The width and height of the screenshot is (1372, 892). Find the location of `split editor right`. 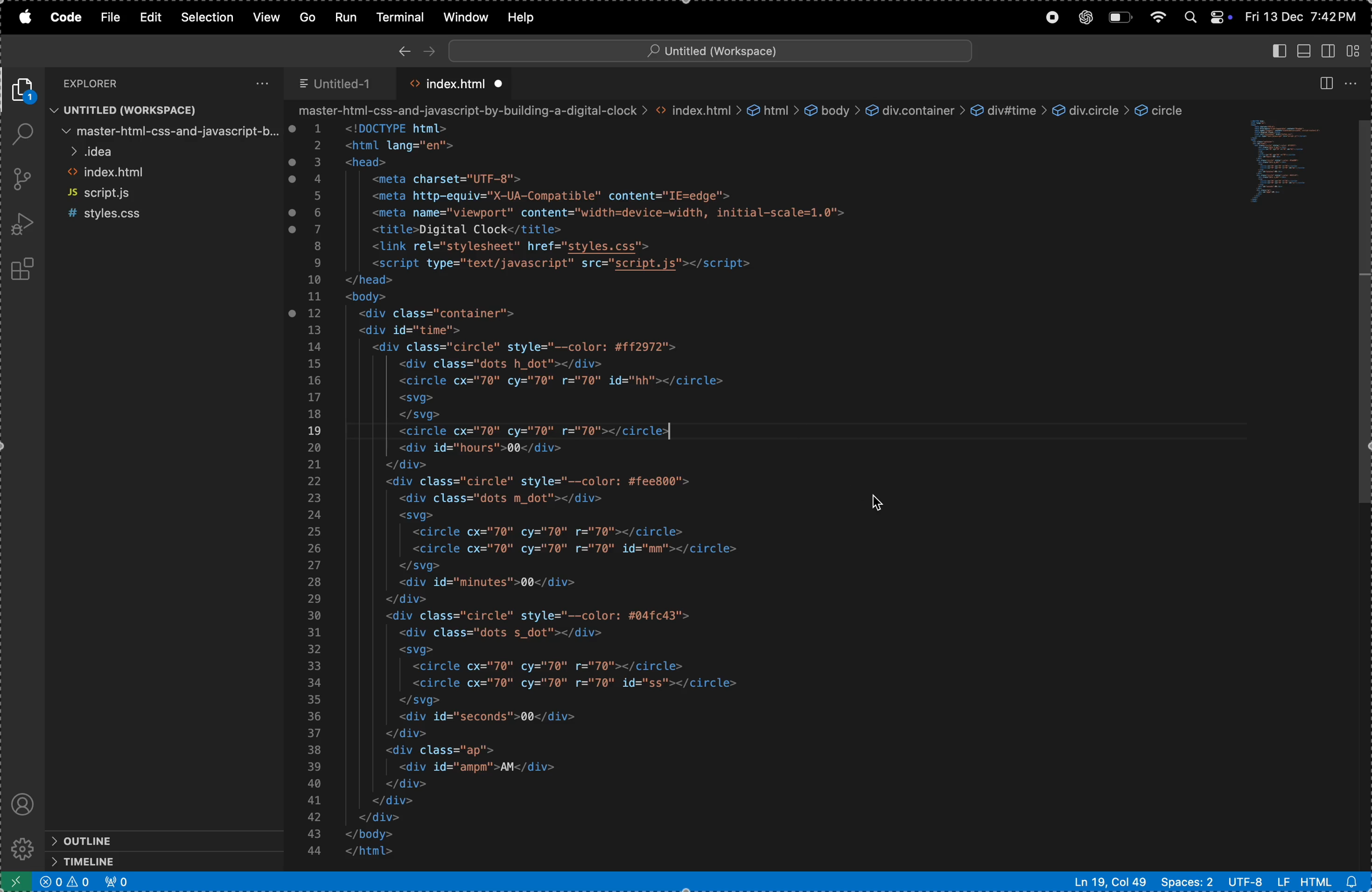

split editor right is located at coordinates (1325, 84).